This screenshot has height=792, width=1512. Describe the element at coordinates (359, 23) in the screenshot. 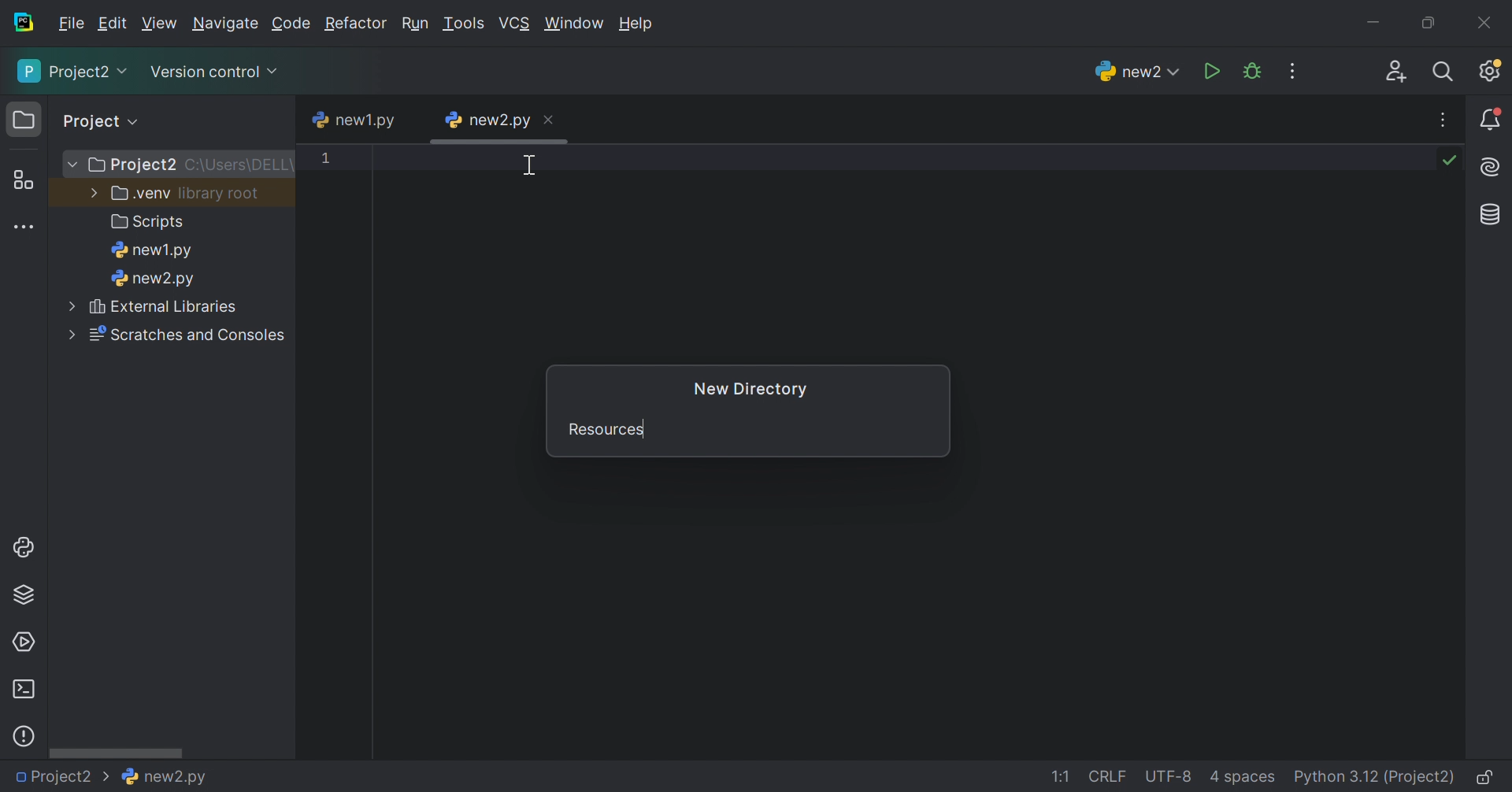

I see `Refactor` at that location.